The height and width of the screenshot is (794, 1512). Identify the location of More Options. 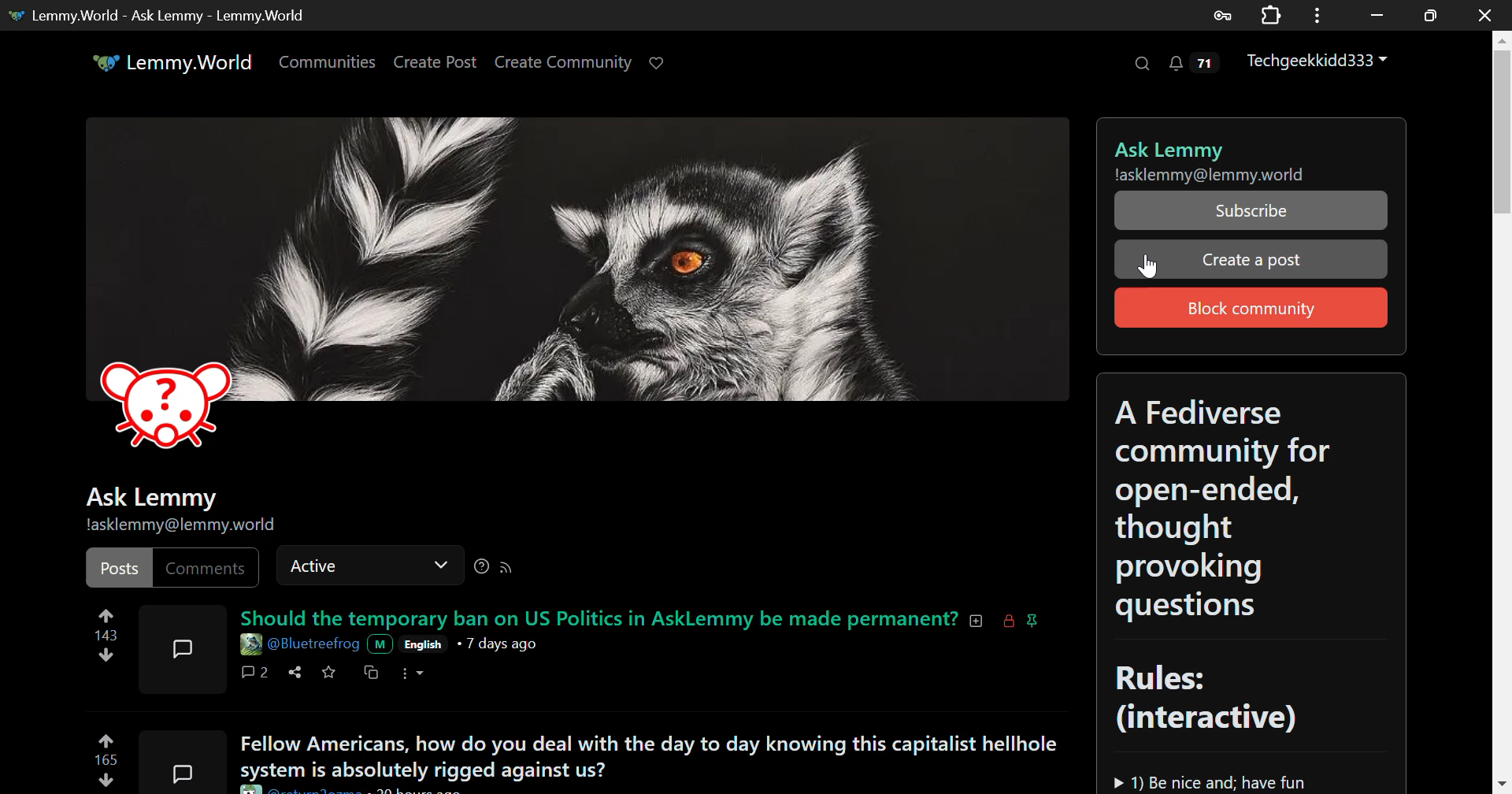
(413, 673).